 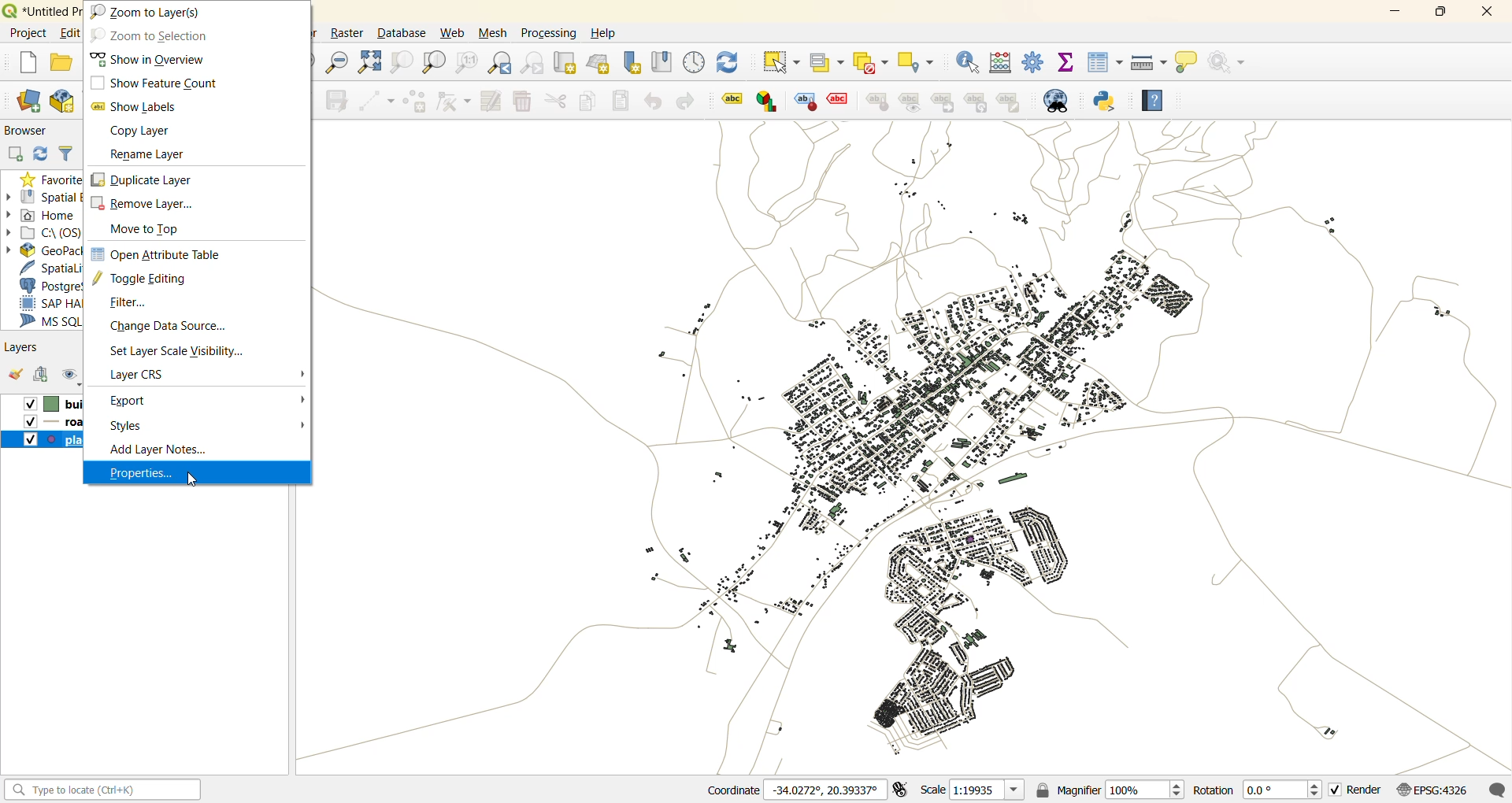 What do you see at coordinates (1153, 102) in the screenshot?
I see `help` at bounding box center [1153, 102].